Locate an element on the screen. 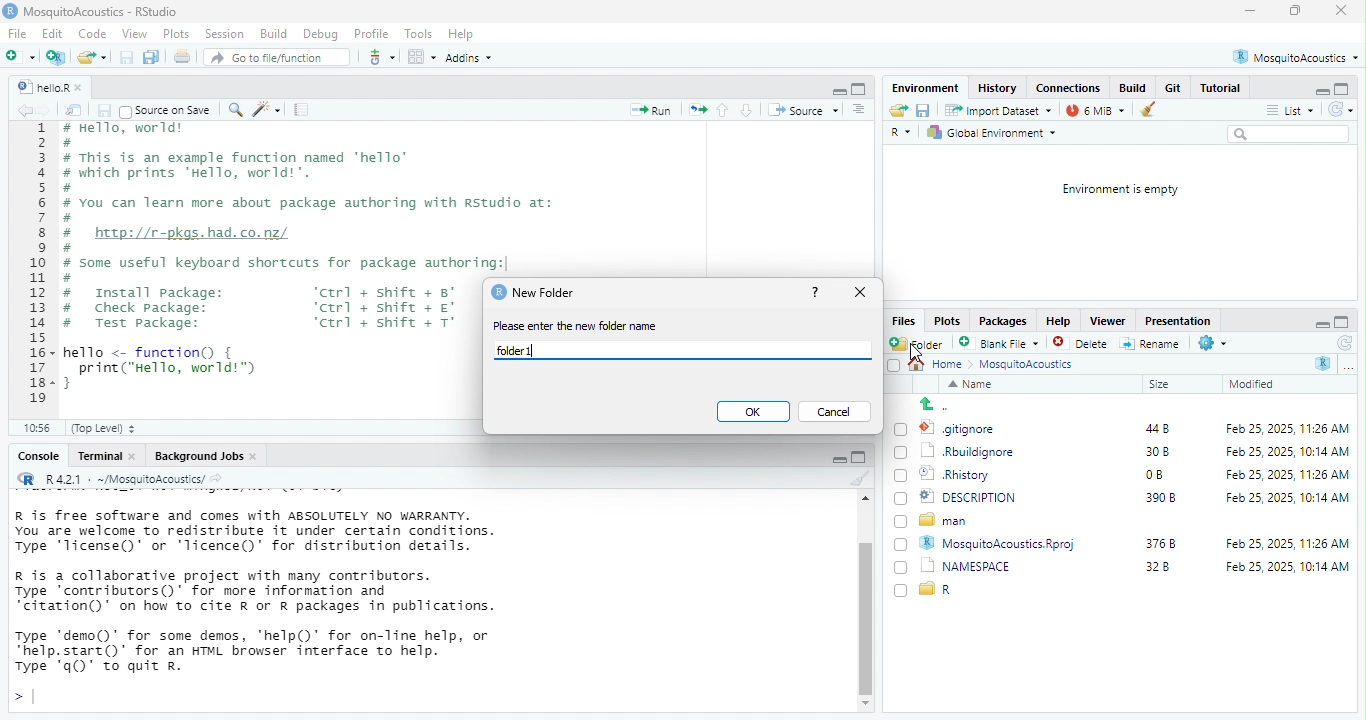 The image size is (1366, 720). Feb 25, 2025, 11:26 AM is located at coordinates (1278, 473).